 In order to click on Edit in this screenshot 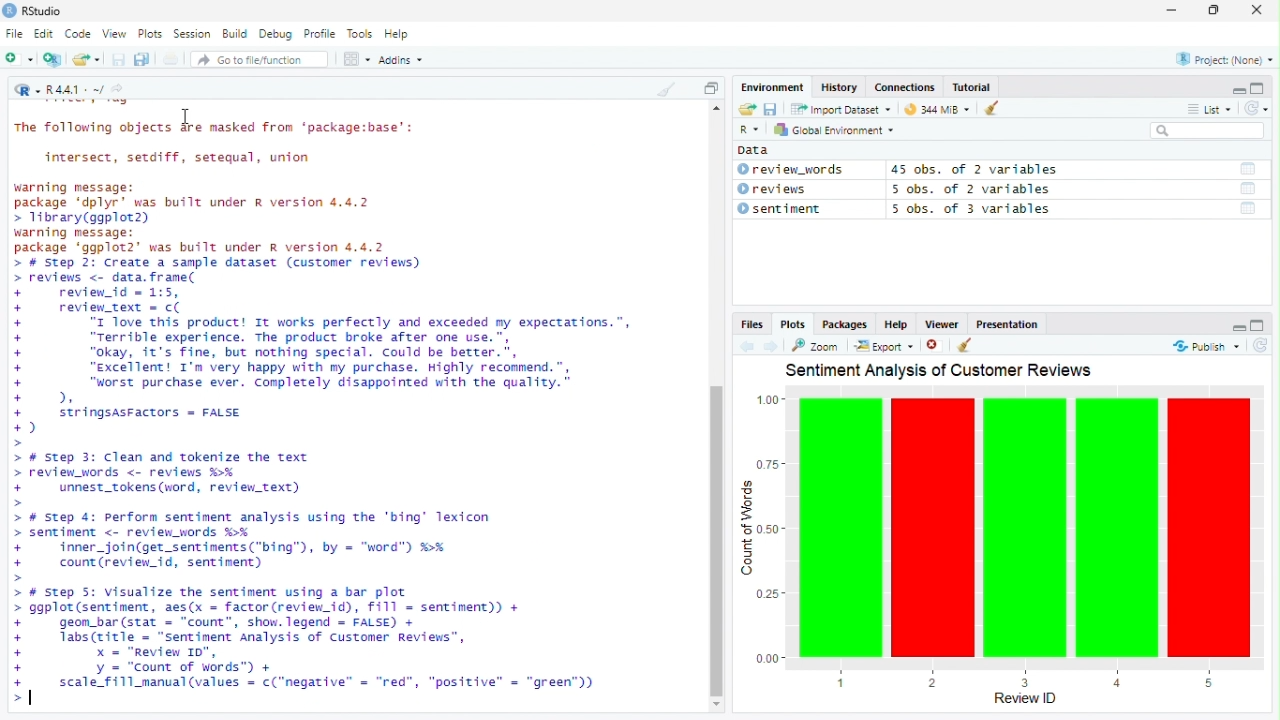, I will do `click(44, 34)`.